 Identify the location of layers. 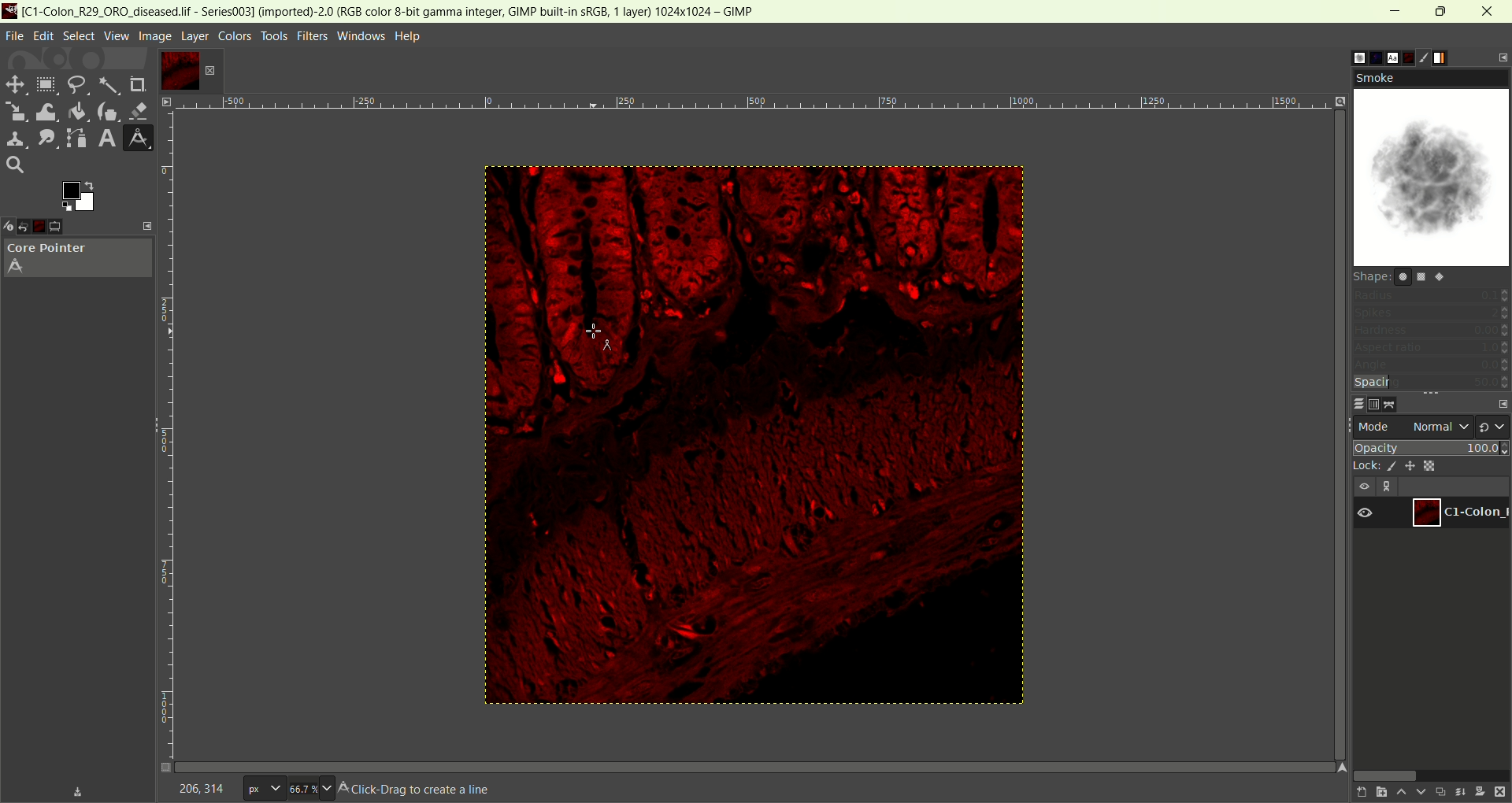
(1352, 403).